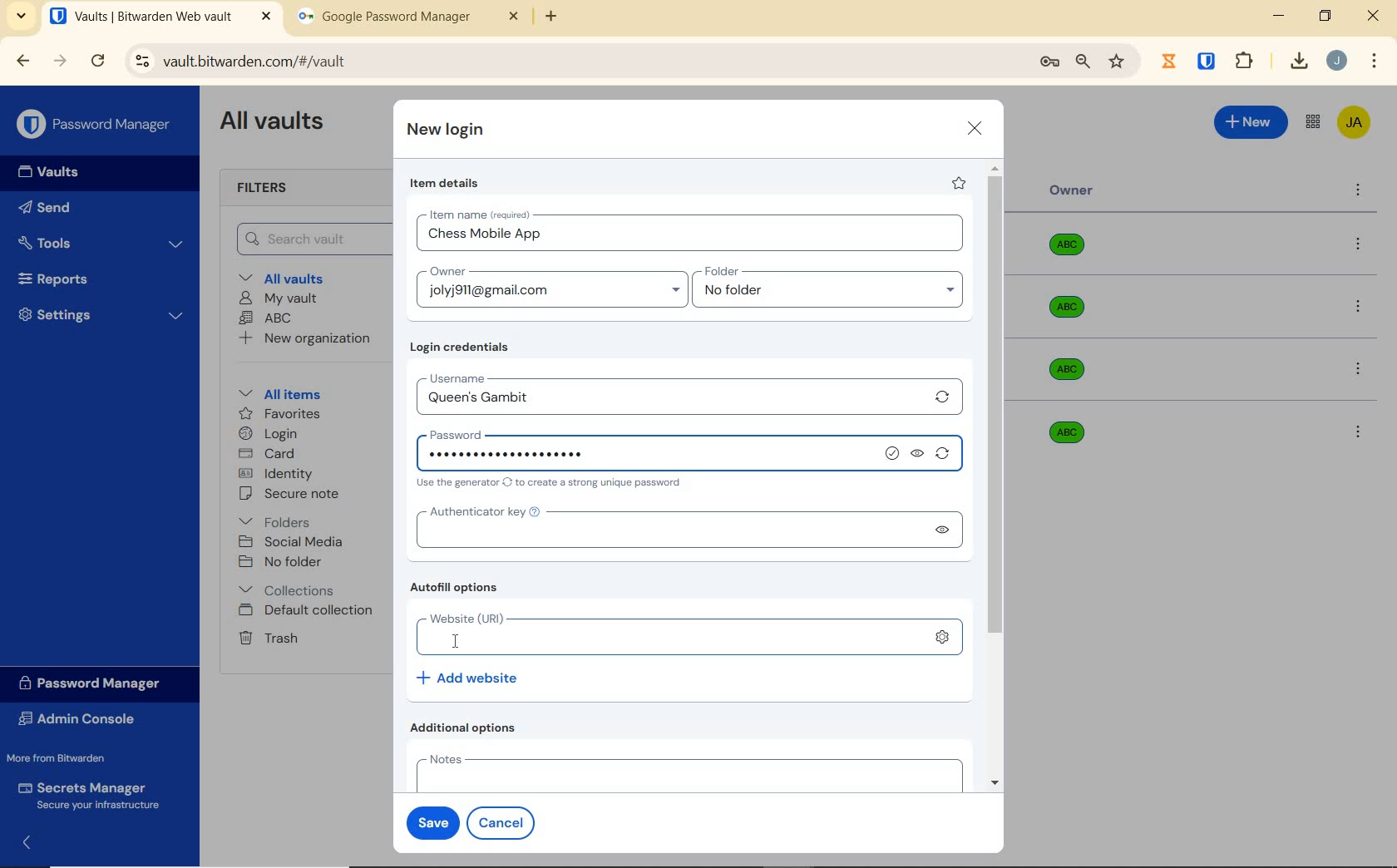 This screenshot has height=868, width=1397. Describe the element at coordinates (266, 455) in the screenshot. I see `card` at that location.